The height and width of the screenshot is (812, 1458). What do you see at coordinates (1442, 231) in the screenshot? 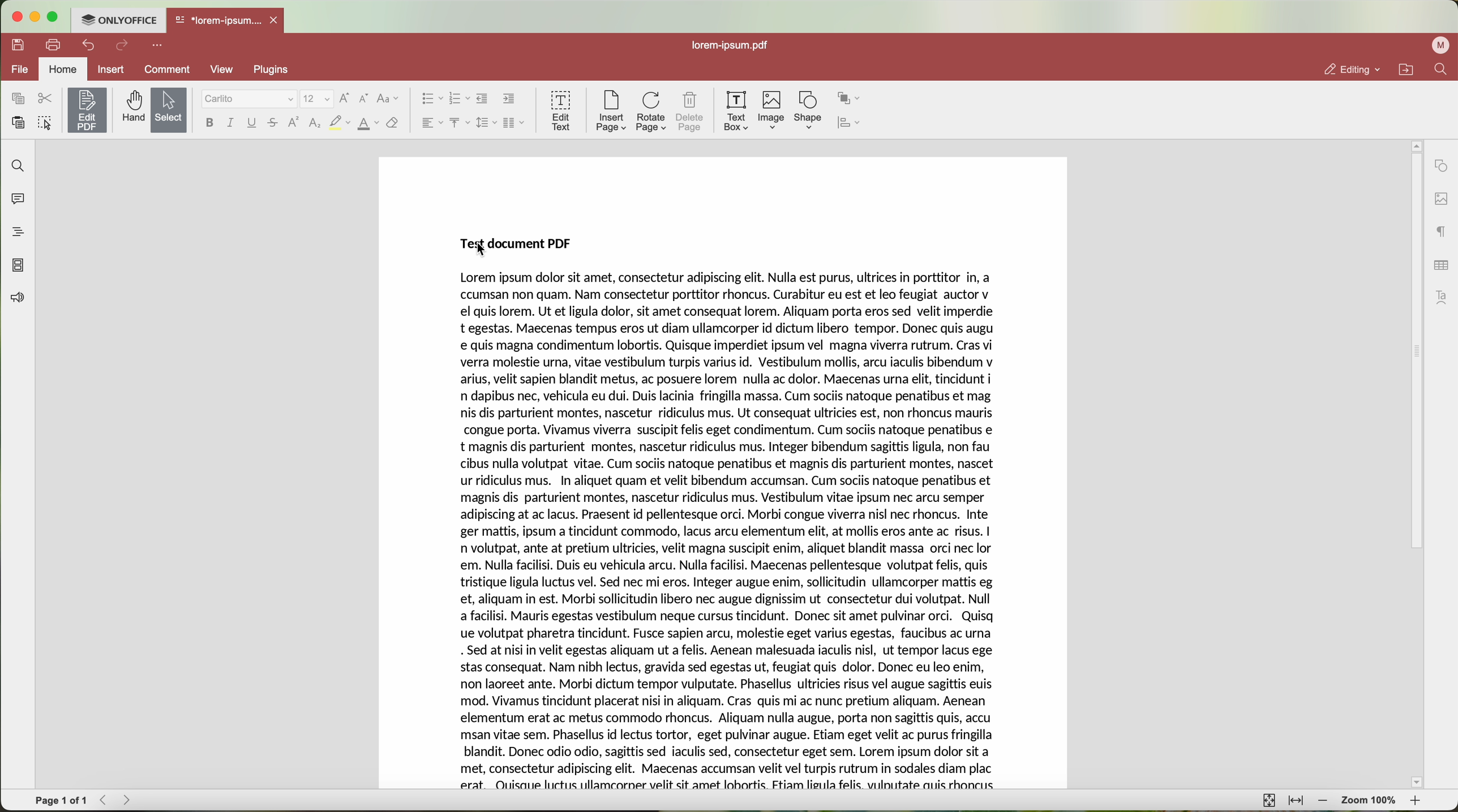
I see `paragraph settings` at bounding box center [1442, 231].